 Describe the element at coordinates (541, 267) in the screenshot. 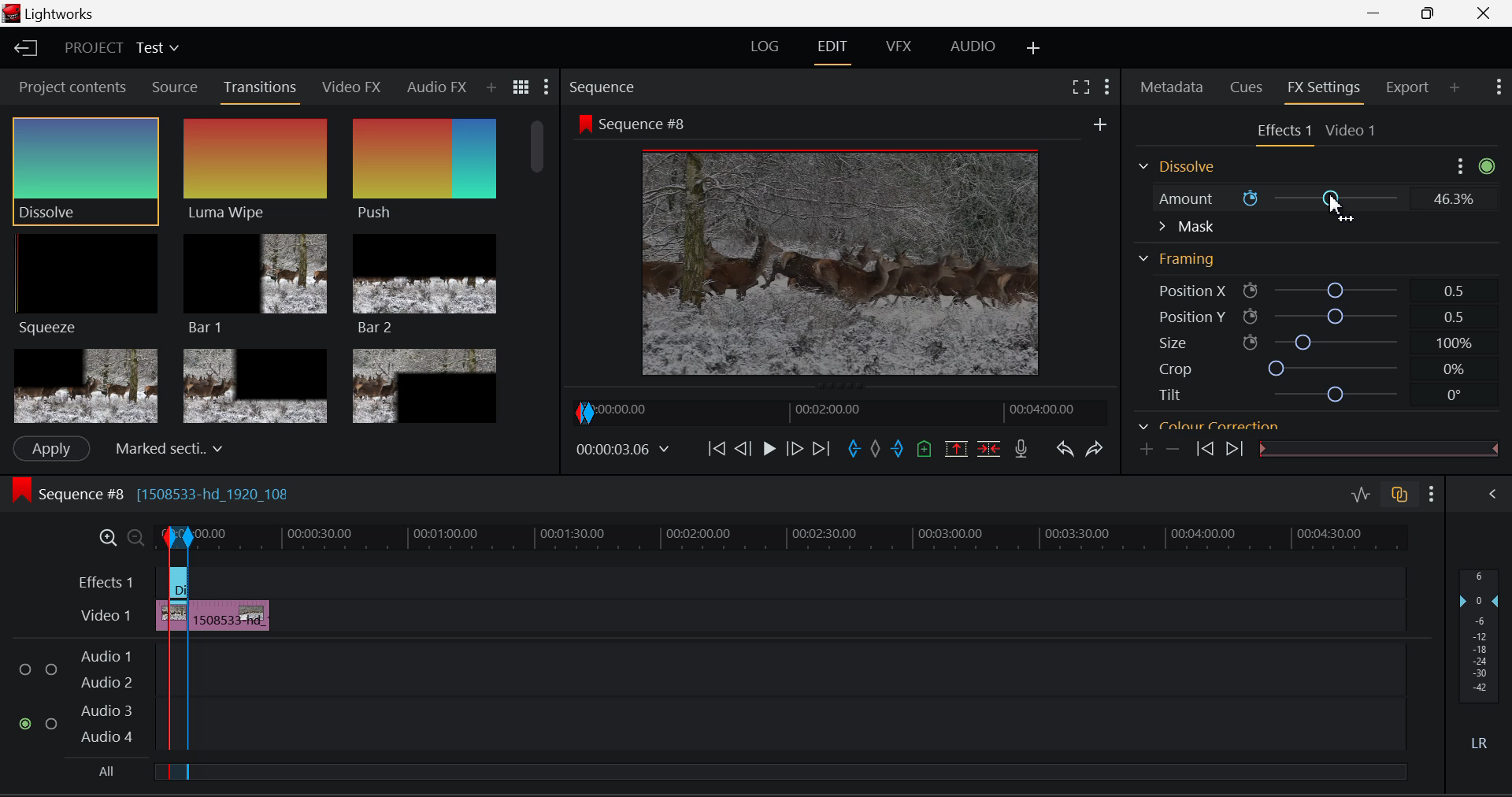

I see `Scroll Bar` at that location.